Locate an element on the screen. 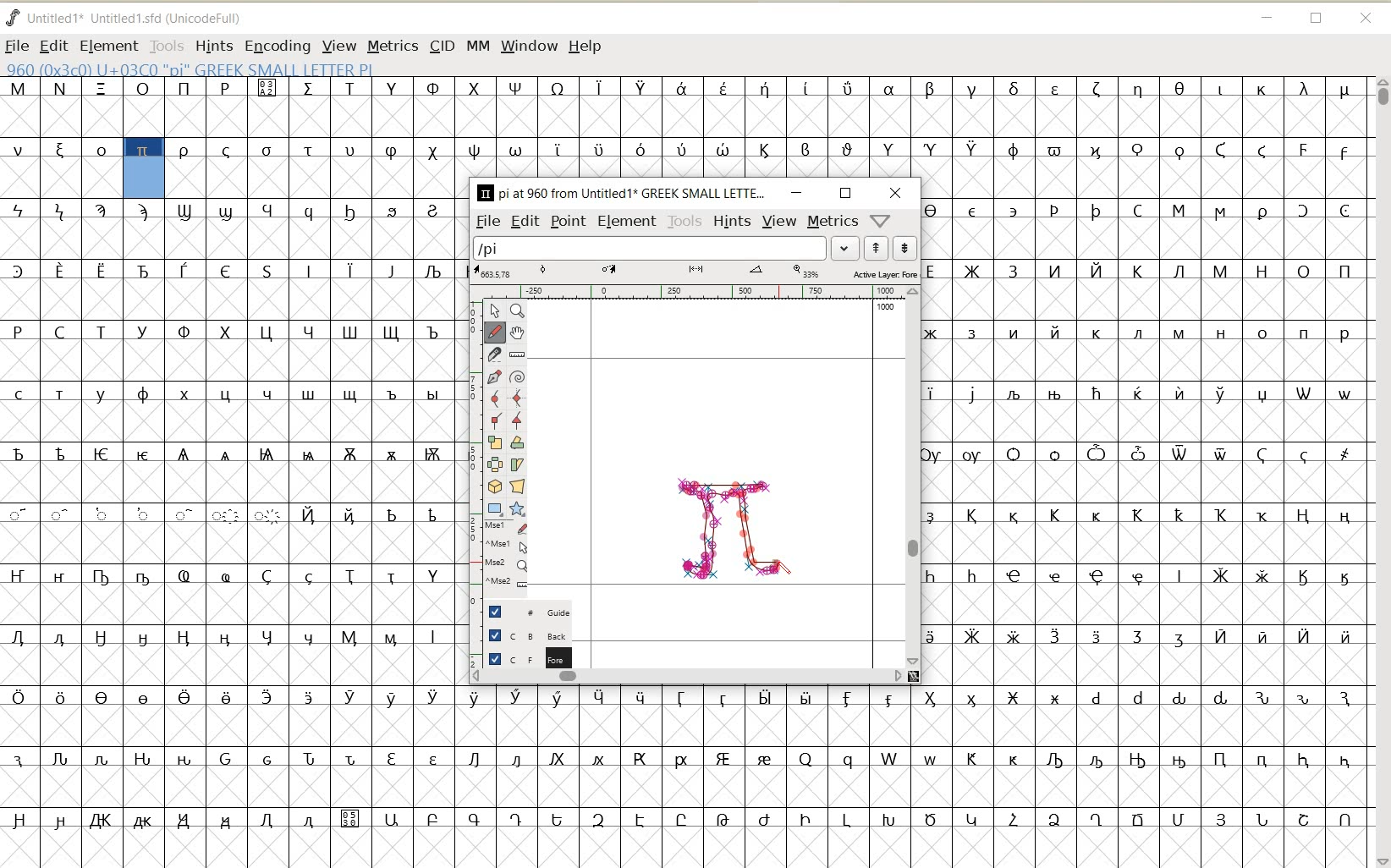  RULER is located at coordinates (694, 293).